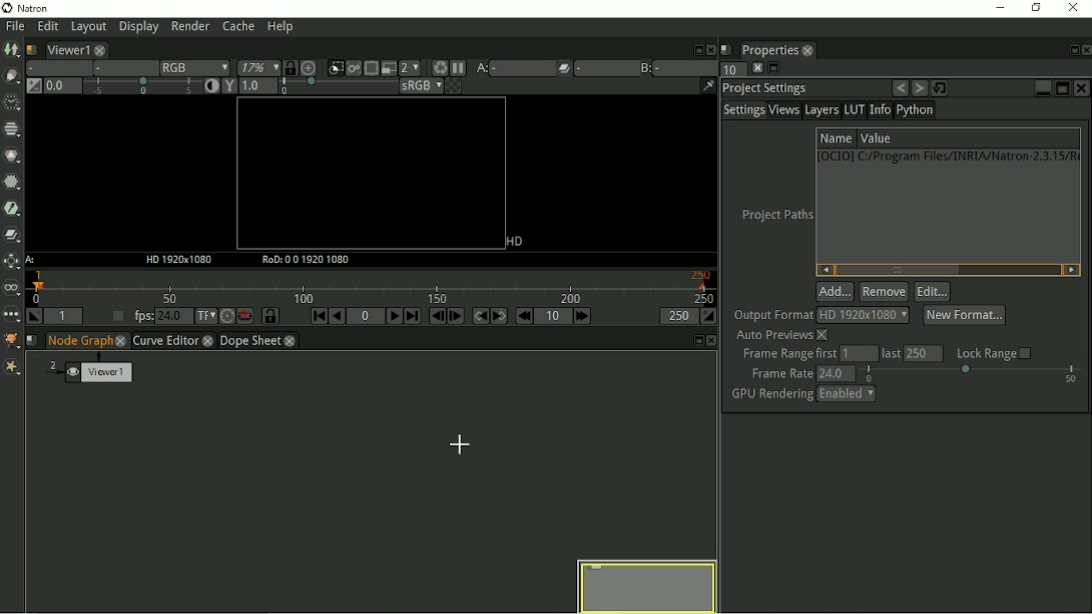  What do you see at coordinates (11, 181) in the screenshot?
I see `Filter` at bounding box center [11, 181].